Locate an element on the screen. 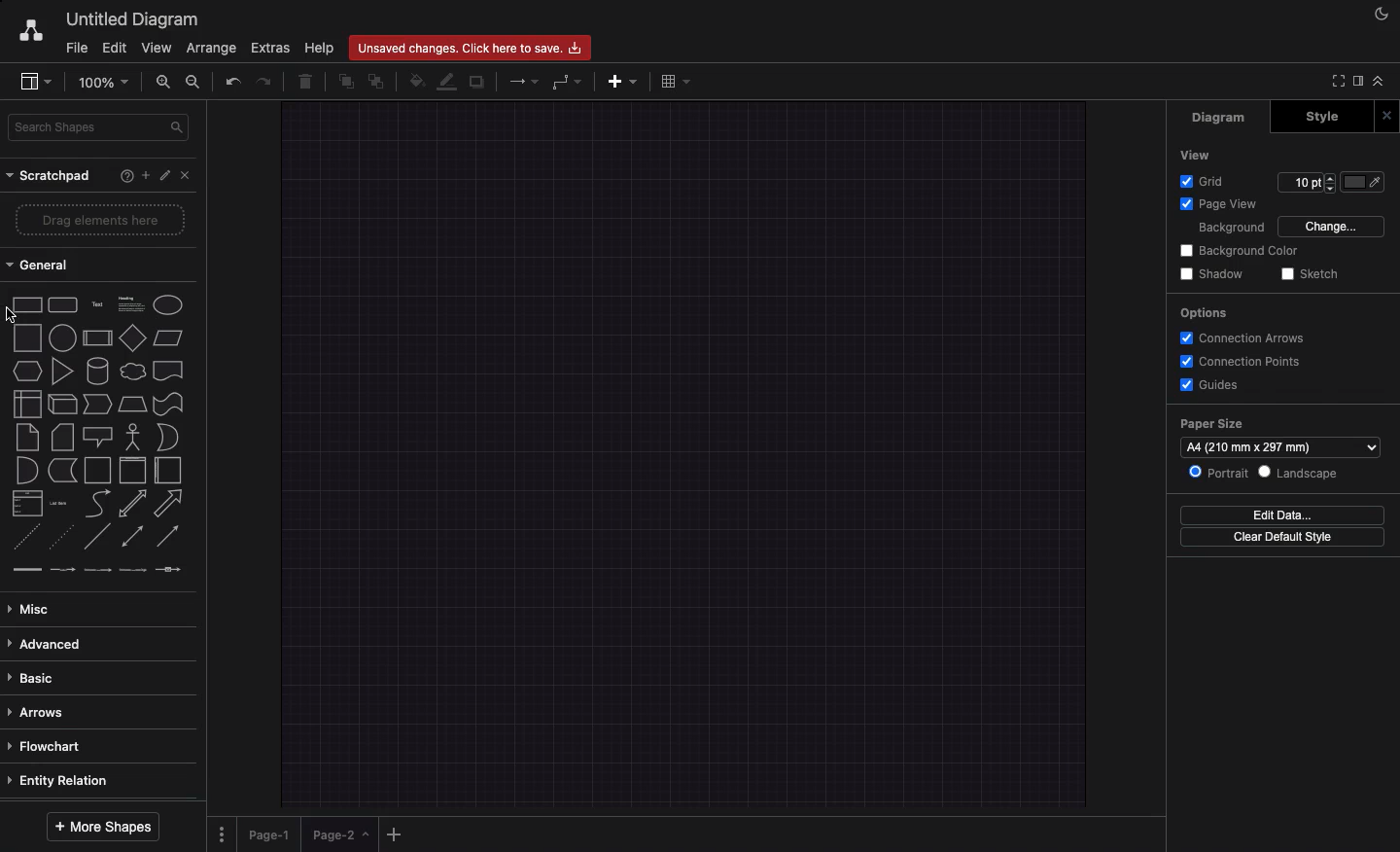  Zoom is located at coordinates (108, 81).